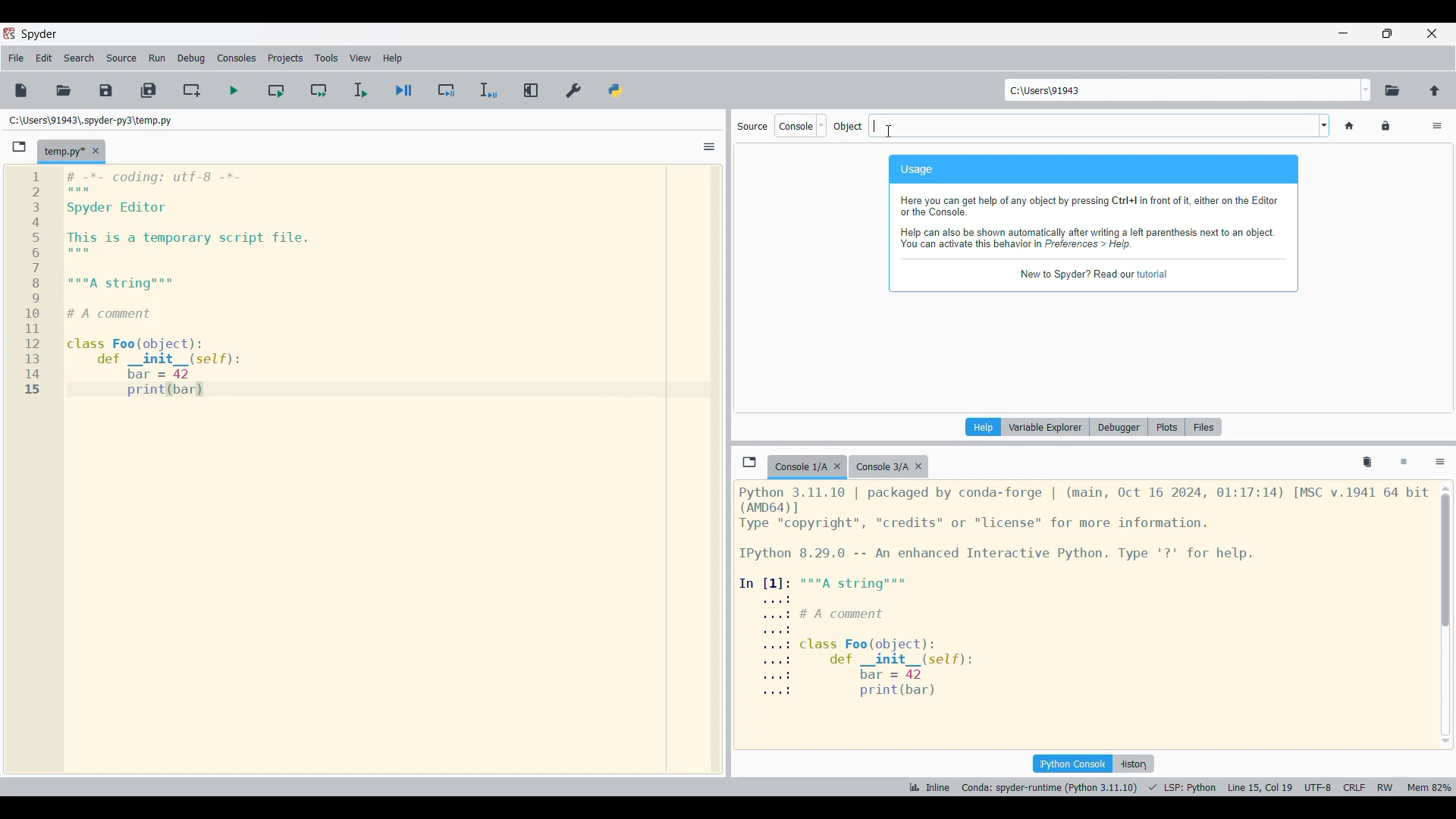  What do you see at coordinates (1262, 786) in the screenshot?
I see `line 15 col 9` at bounding box center [1262, 786].